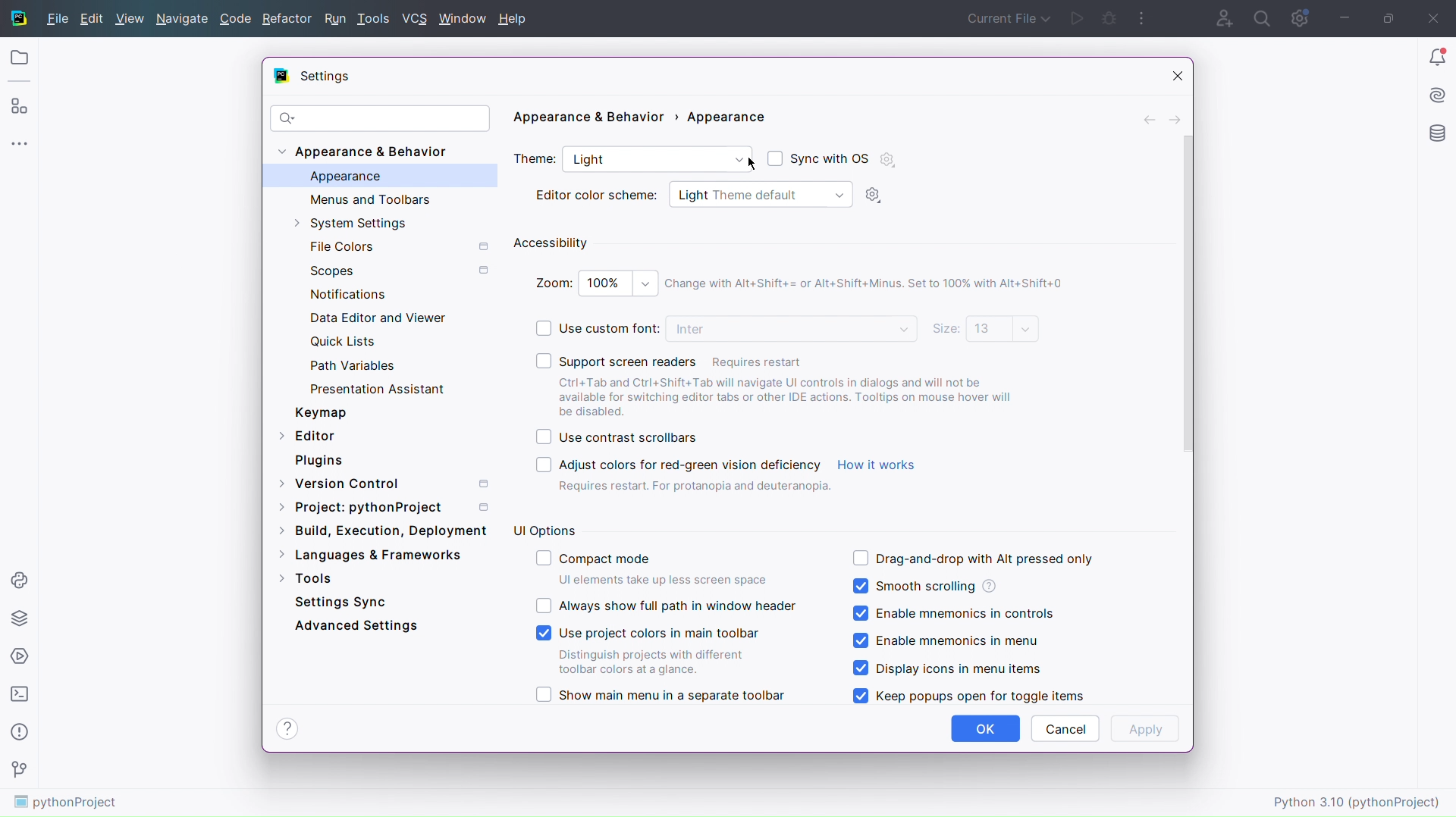 The width and height of the screenshot is (1456, 817). I want to click on More, so click(19, 142).